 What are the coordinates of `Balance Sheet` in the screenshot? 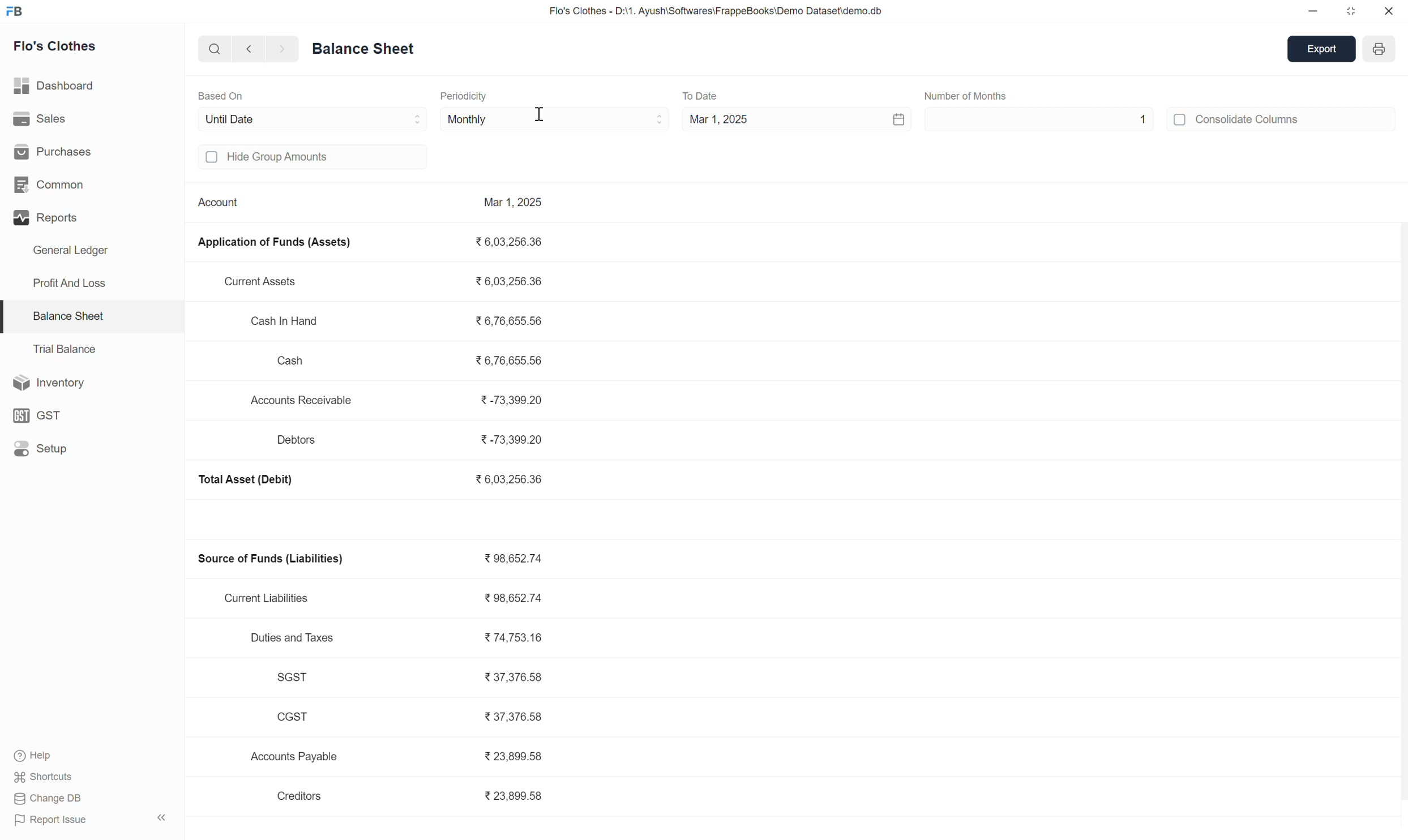 It's located at (363, 47).